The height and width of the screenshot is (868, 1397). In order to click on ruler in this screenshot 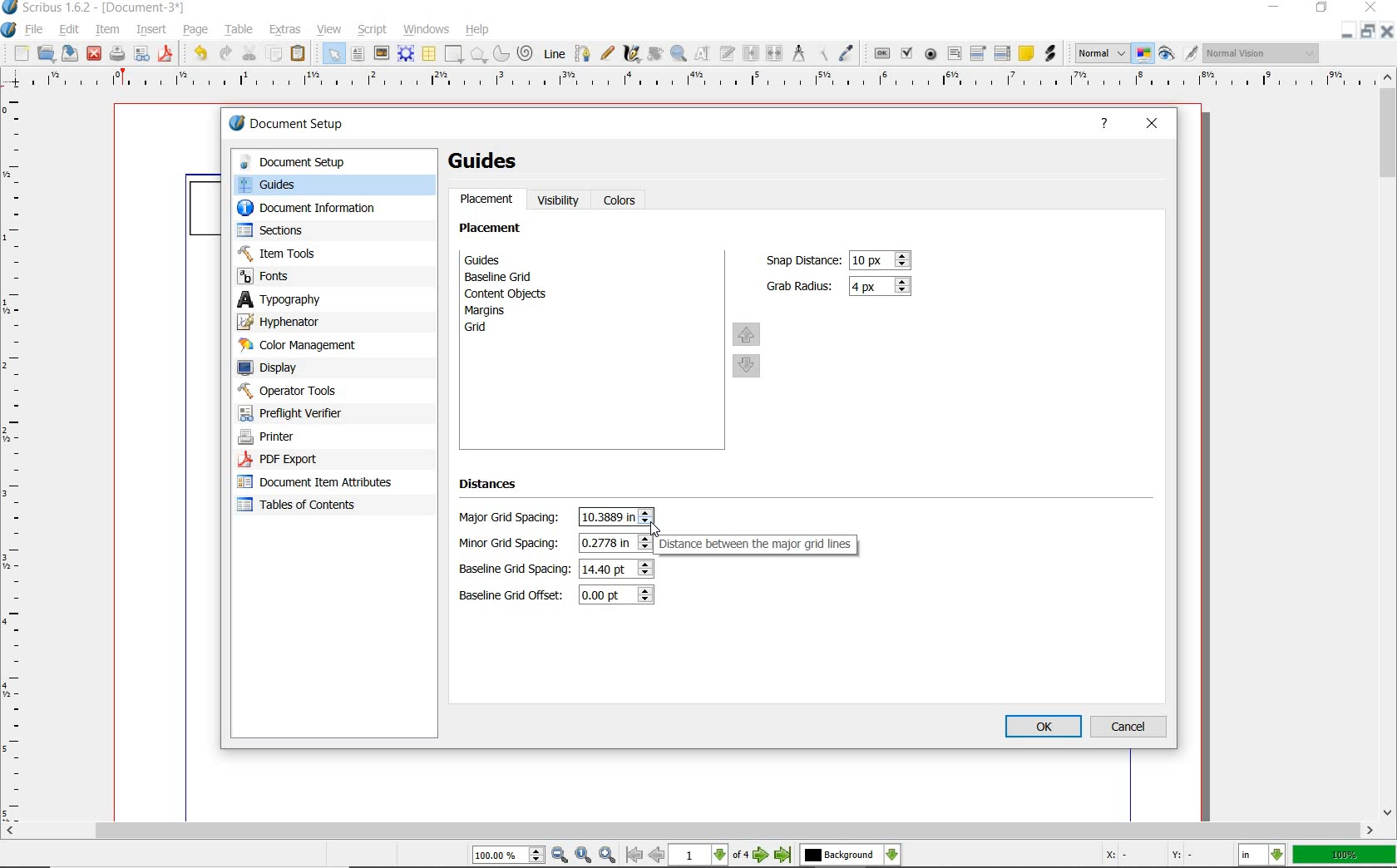, I will do `click(692, 83)`.